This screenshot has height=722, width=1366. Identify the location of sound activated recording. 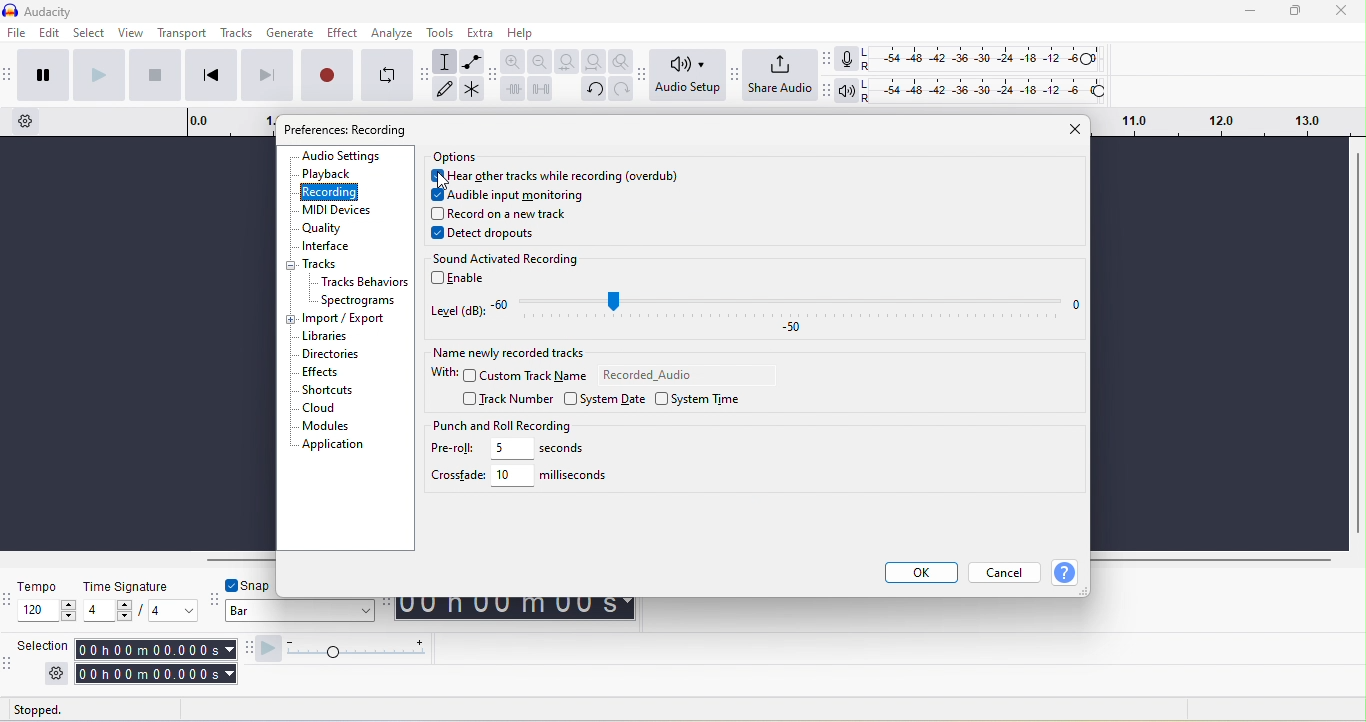
(519, 259).